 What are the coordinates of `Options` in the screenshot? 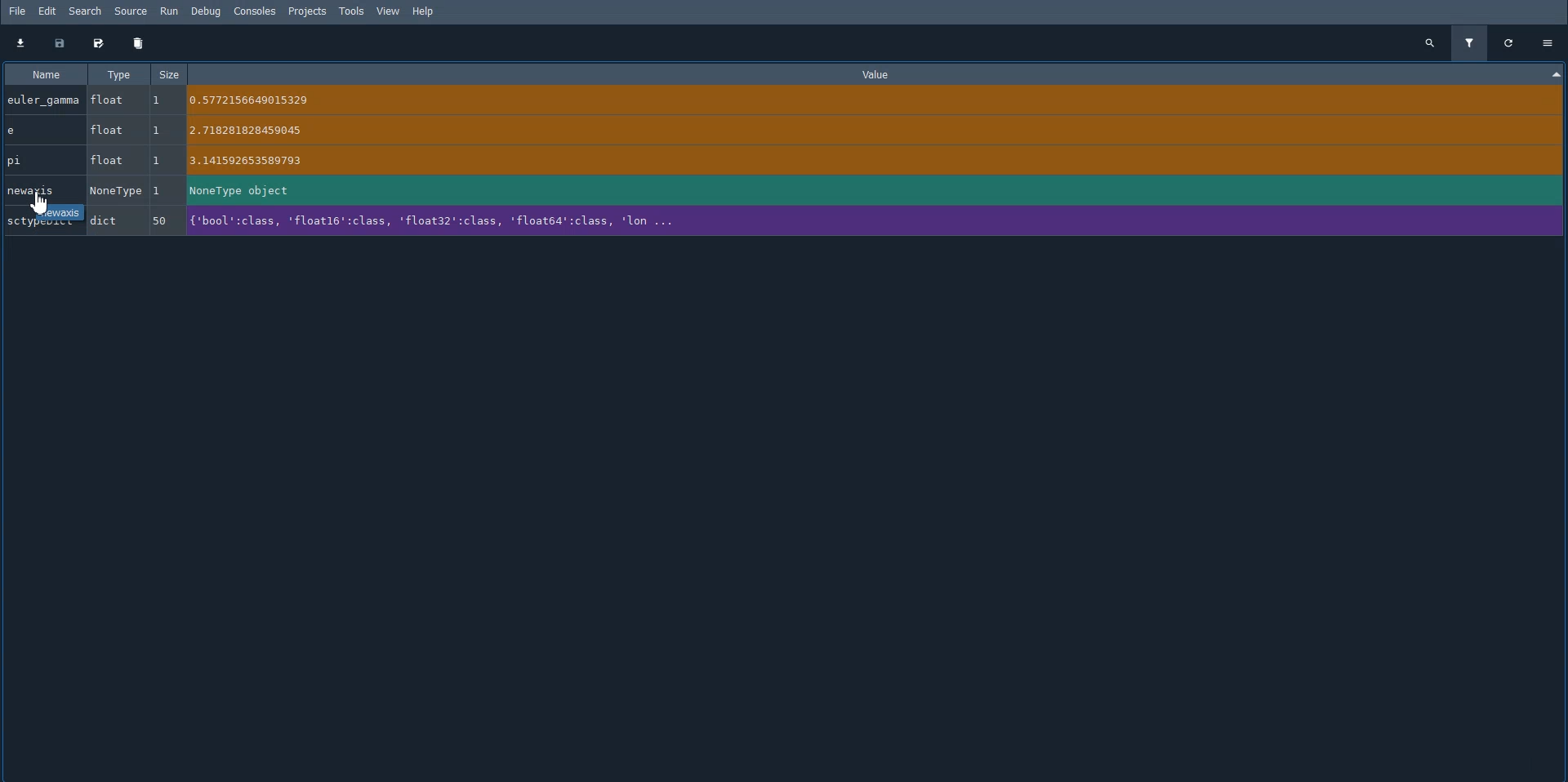 It's located at (1548, 42).